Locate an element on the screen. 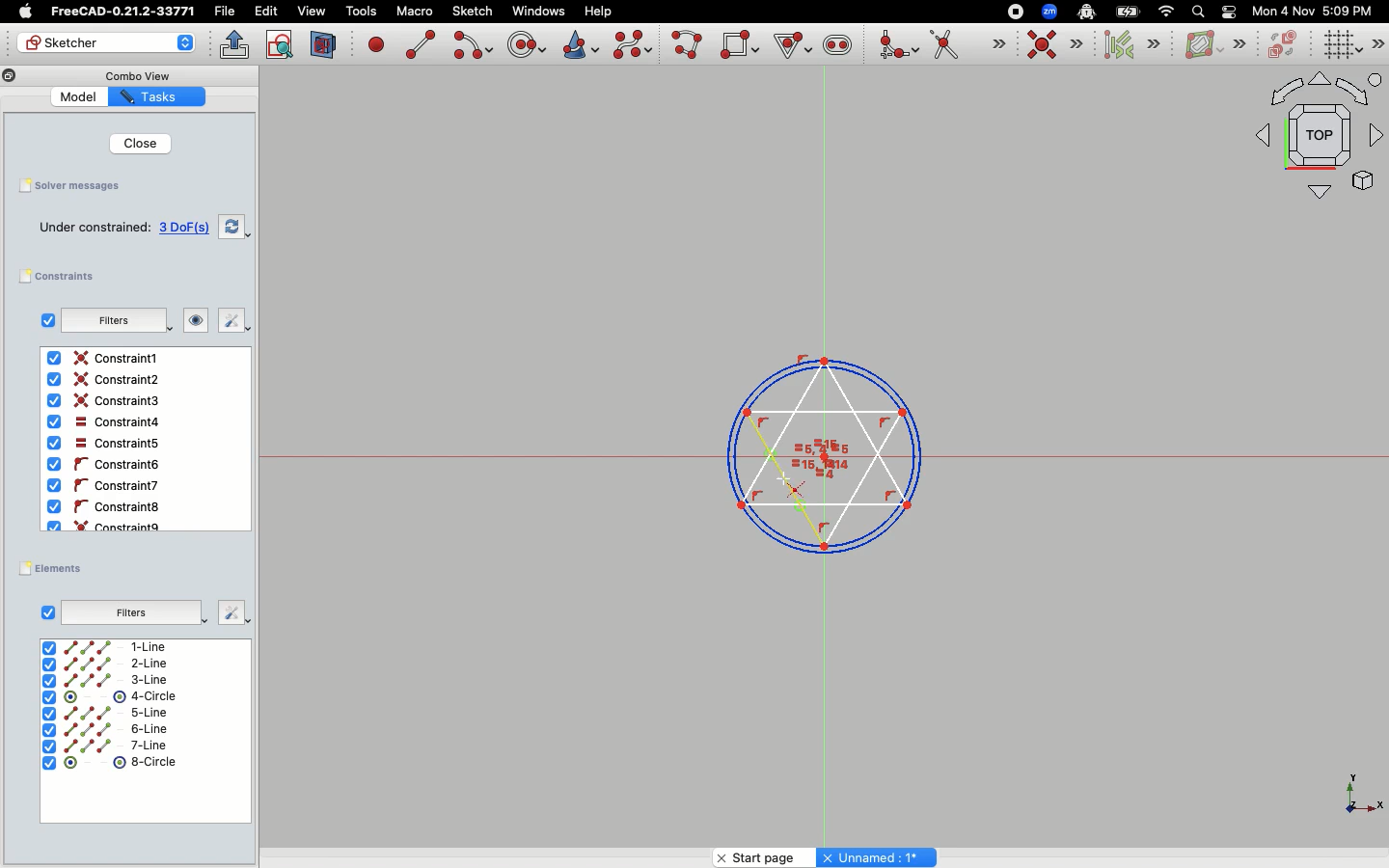 The width and height of the screenshot is (1389, 868). Toggle is located at coordinates (1229, 12).